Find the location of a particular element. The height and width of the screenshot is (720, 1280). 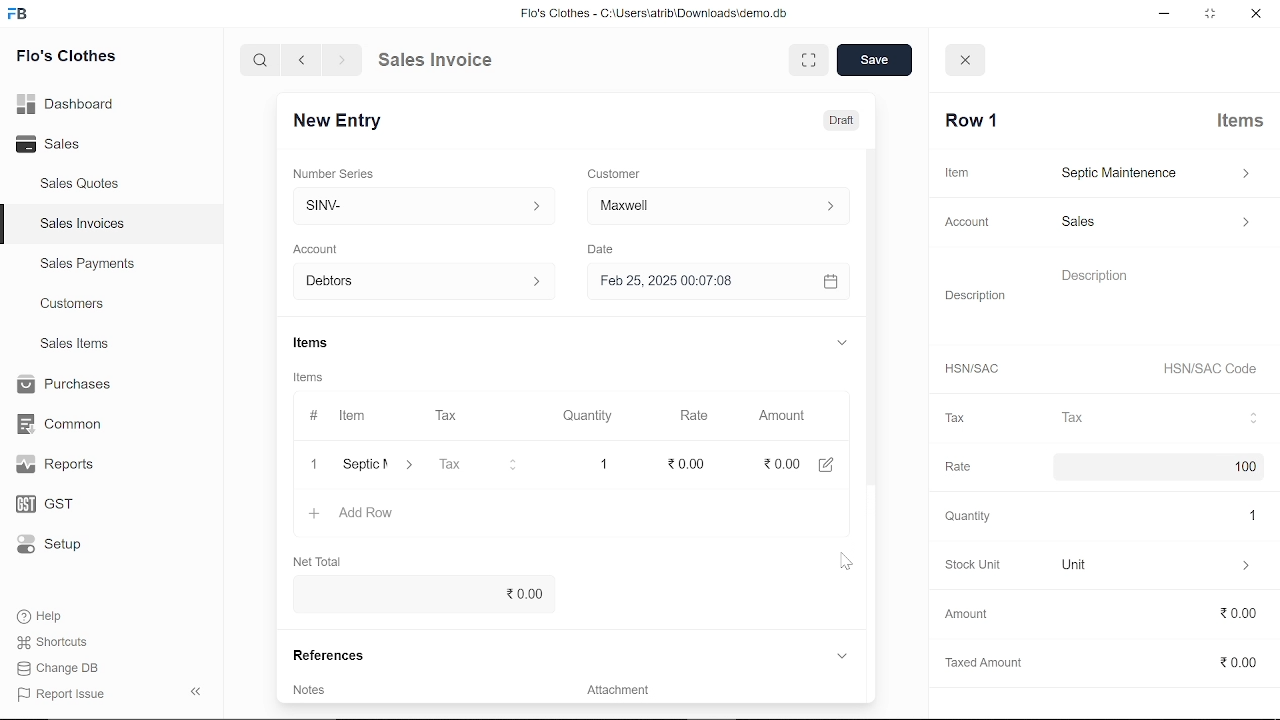

References. is located at coordinates (338, 657).